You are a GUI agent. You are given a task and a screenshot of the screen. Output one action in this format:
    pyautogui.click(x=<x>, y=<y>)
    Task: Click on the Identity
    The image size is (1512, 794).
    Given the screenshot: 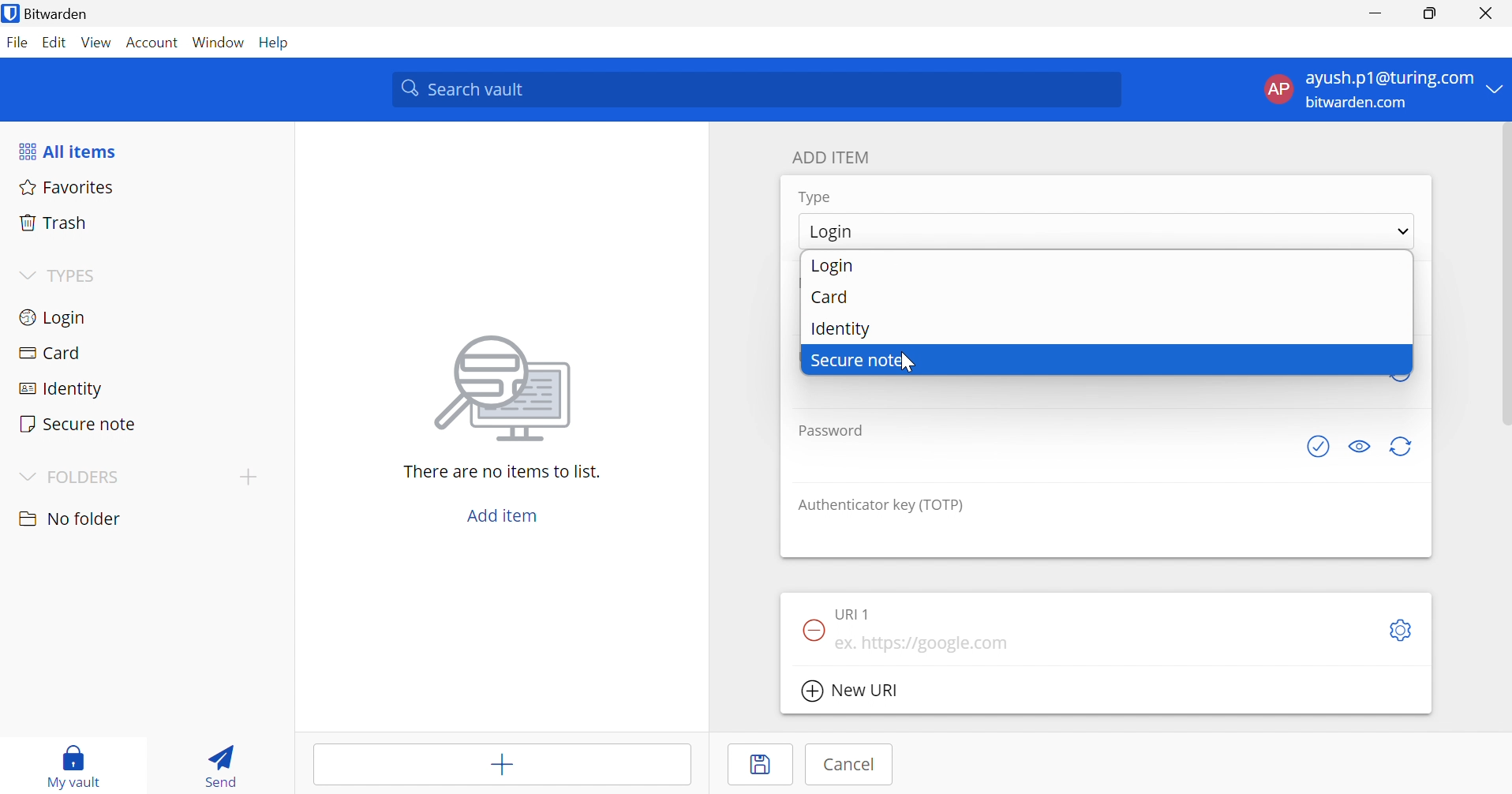 What is the action you would take?
    pyautogui.click(x=843, y=329)
    